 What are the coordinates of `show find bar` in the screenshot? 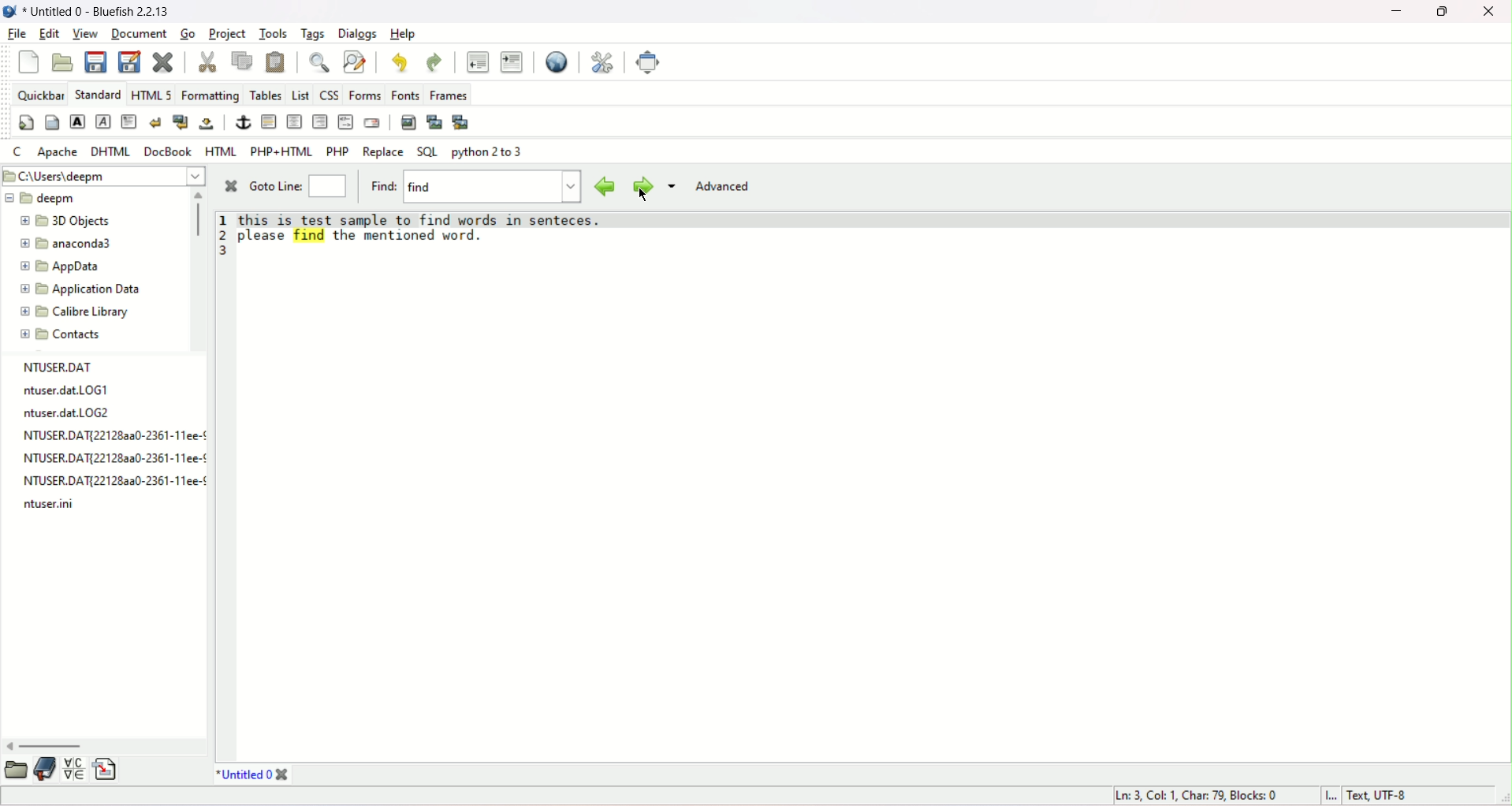 It's located at (318, 62).